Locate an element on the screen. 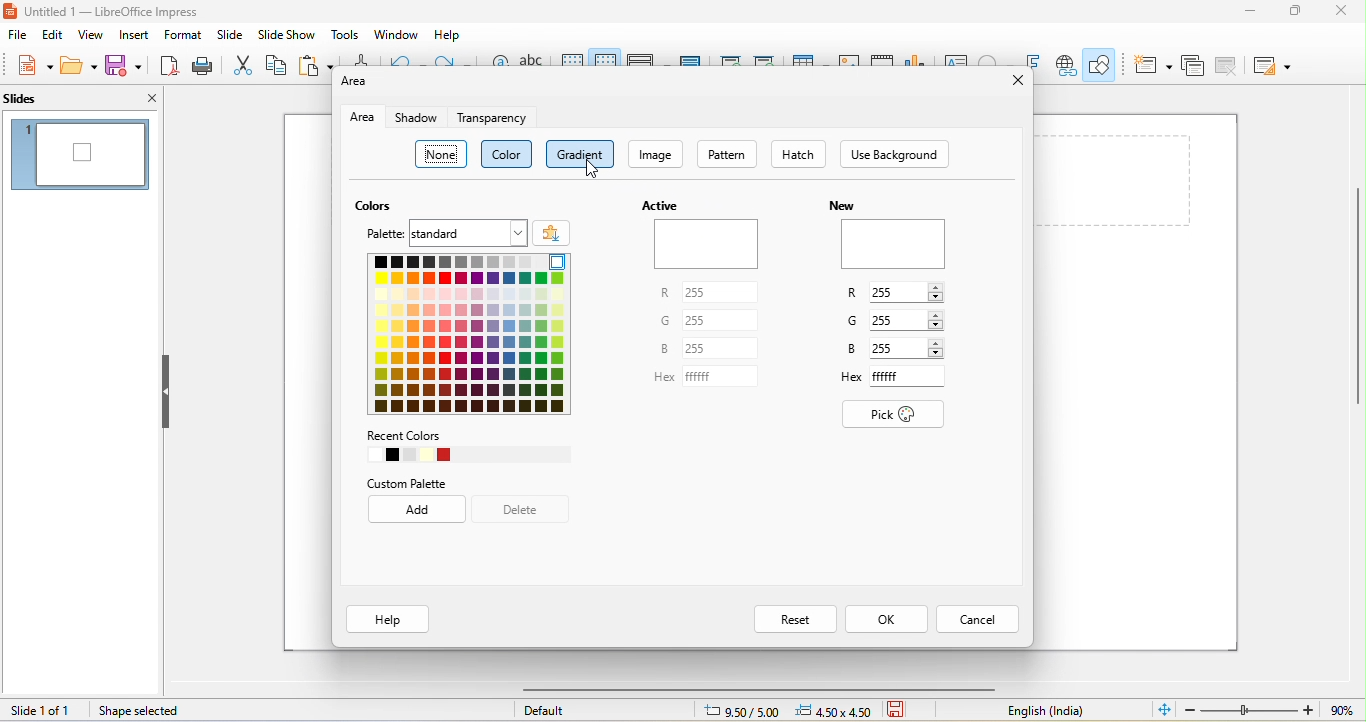 The height and width of the screenshot is (722, 1366). cancel is located at coordinates (978, 619).